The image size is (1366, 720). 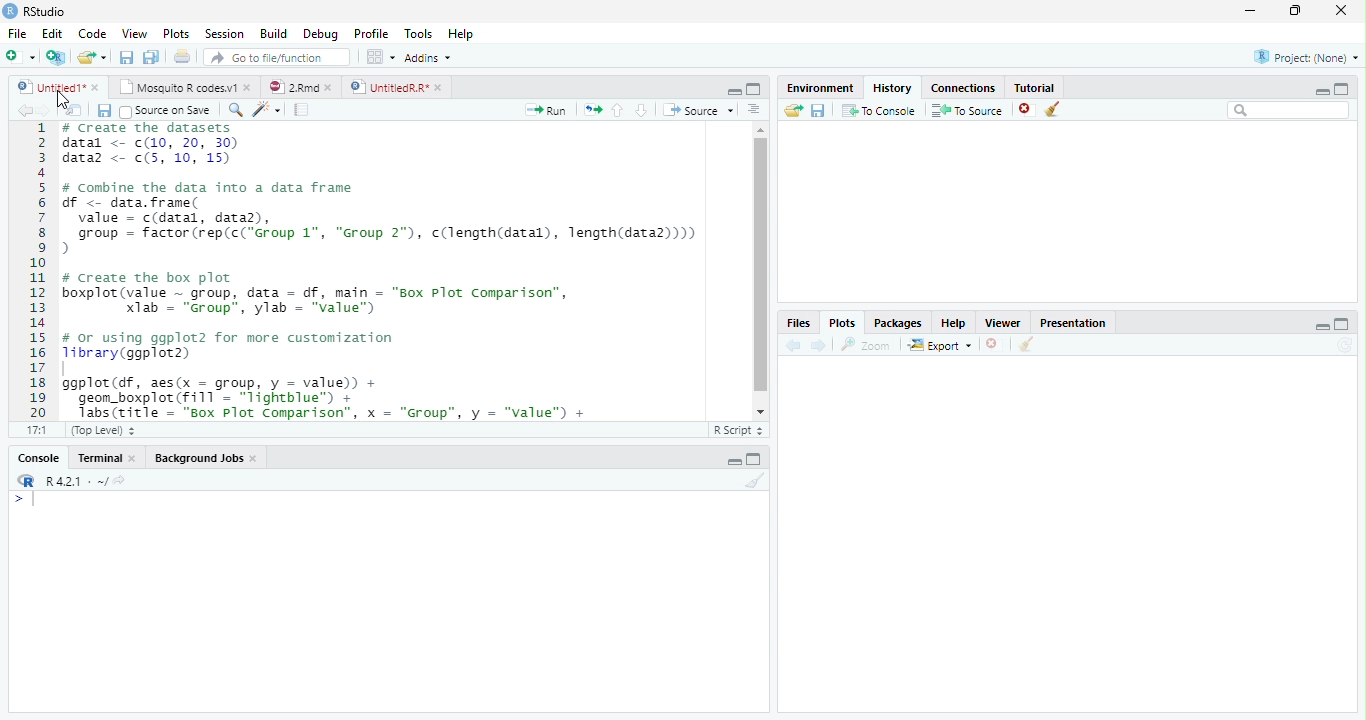 What do you see at coordinates (168, 111) in the screenshot?
I see `Source on Save` at bounding box center [168, 111].